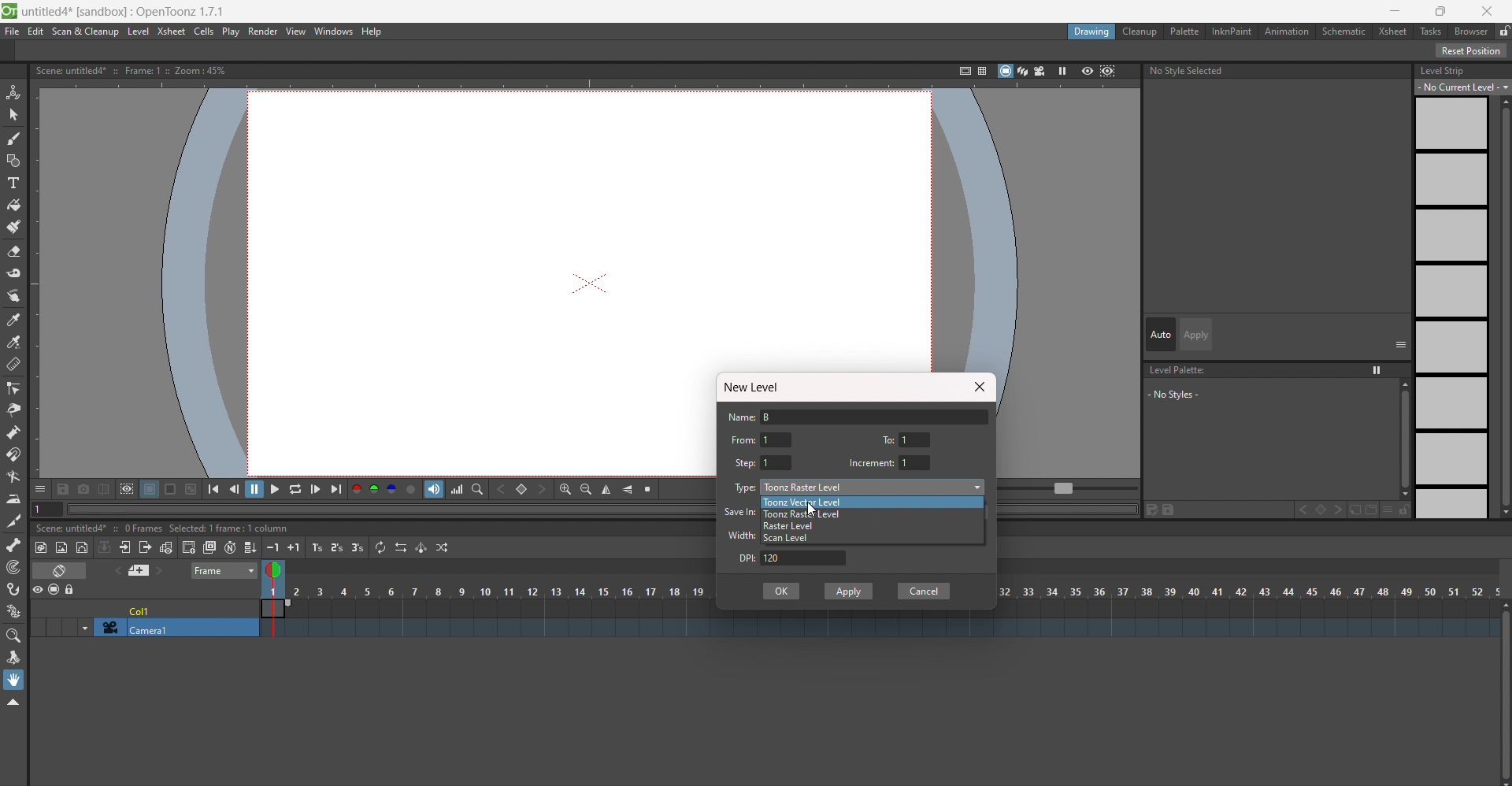  Describe the element at coordinates (105, 547) in the screenshot. I see `collapse` at that location.